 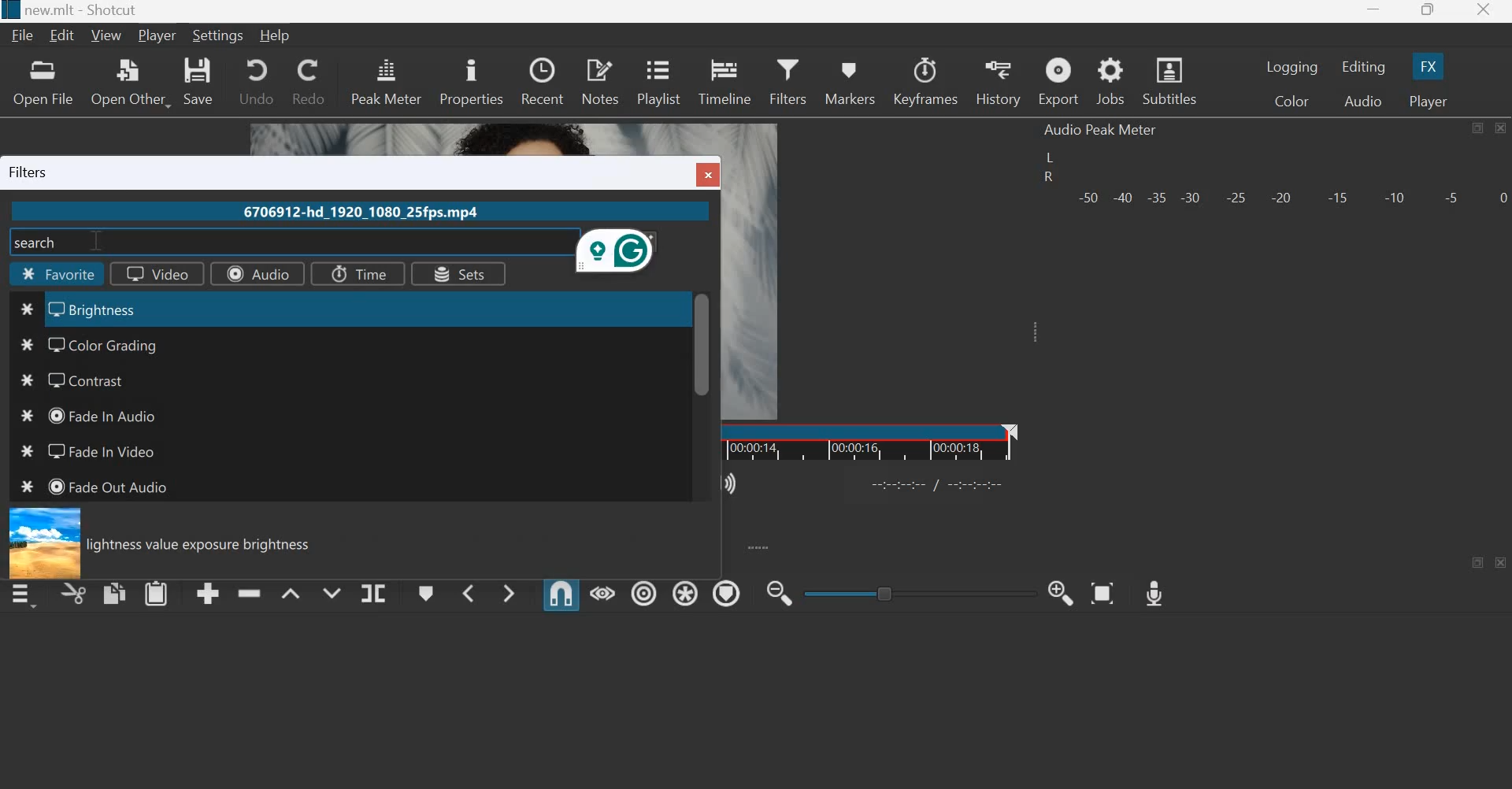 I want to click on , so click(x=27, y=489).